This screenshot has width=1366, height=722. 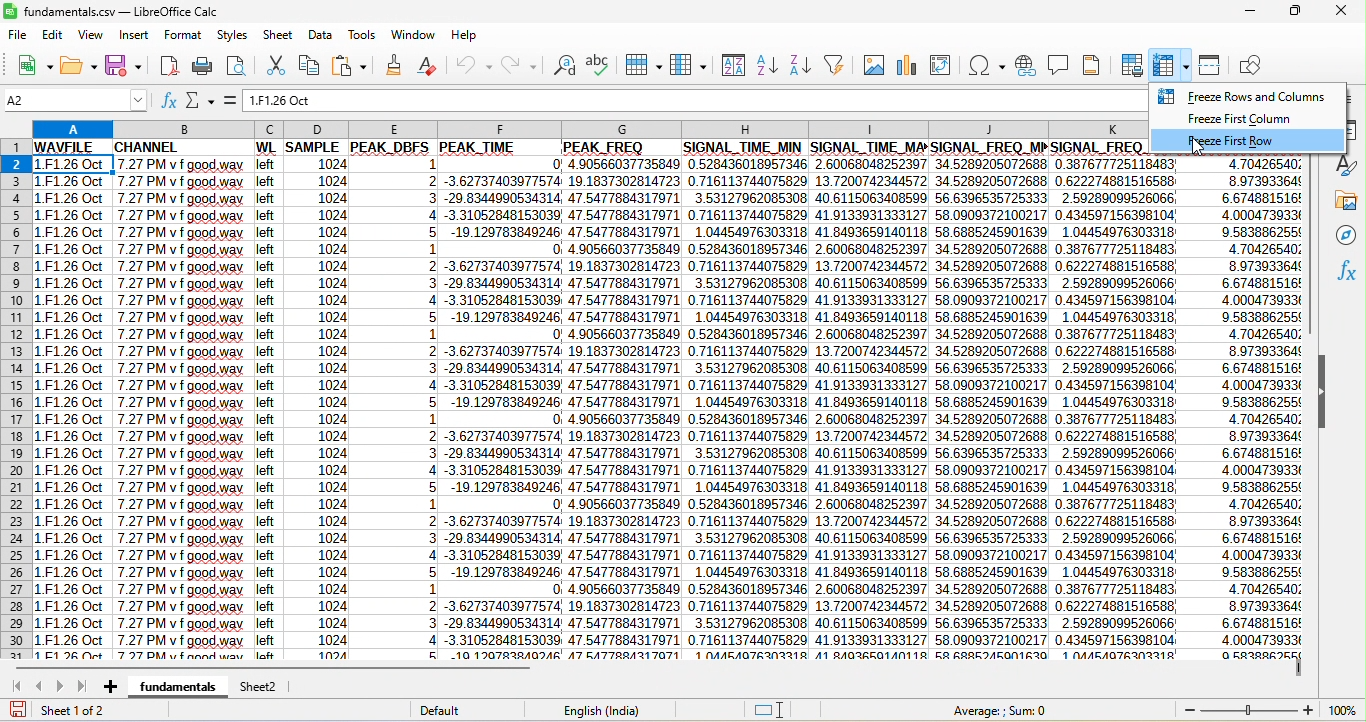 What do you see at coordinates (1203, 150) in the screenshot?
I see `cursor movement` at bounding box center [1203, 150].